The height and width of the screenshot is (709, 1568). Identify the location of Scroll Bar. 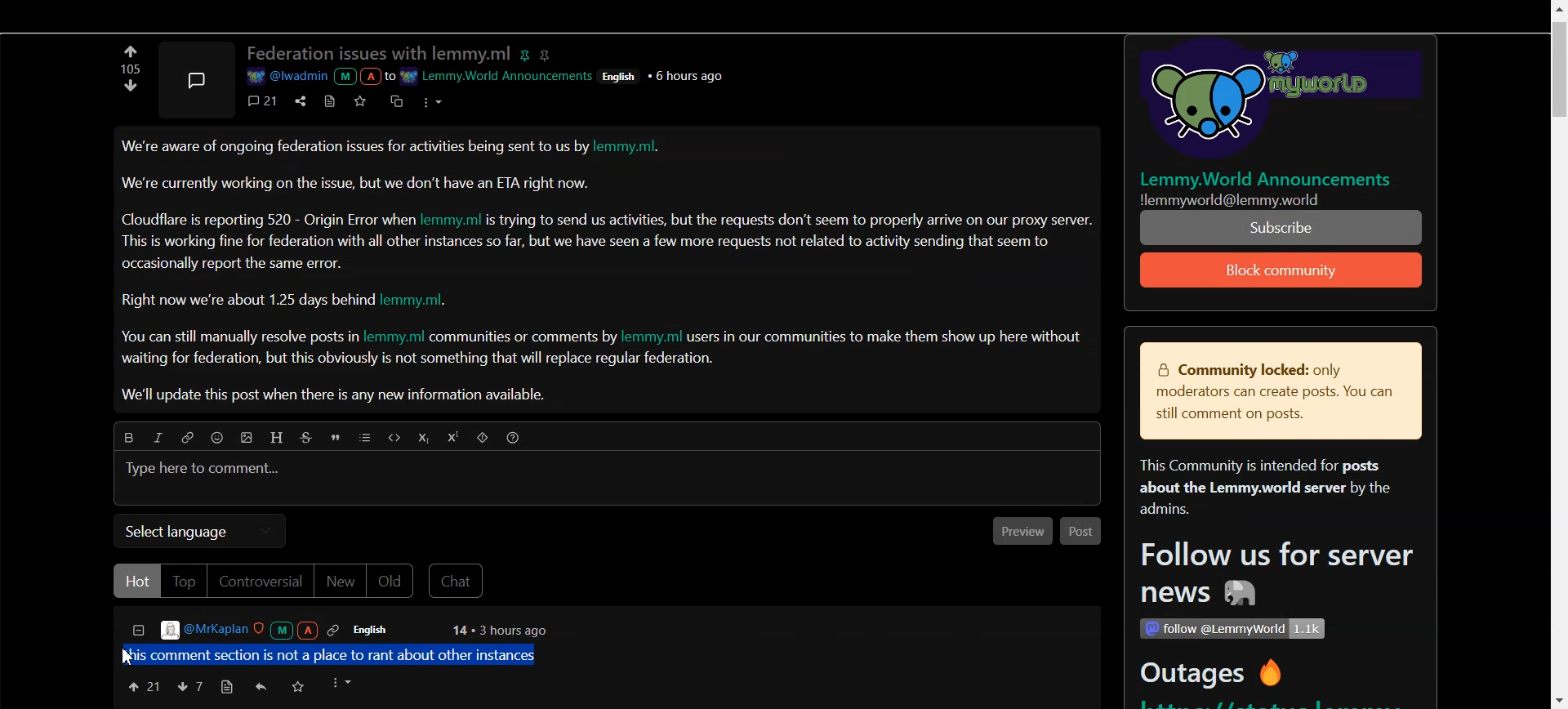
(1557, 354).